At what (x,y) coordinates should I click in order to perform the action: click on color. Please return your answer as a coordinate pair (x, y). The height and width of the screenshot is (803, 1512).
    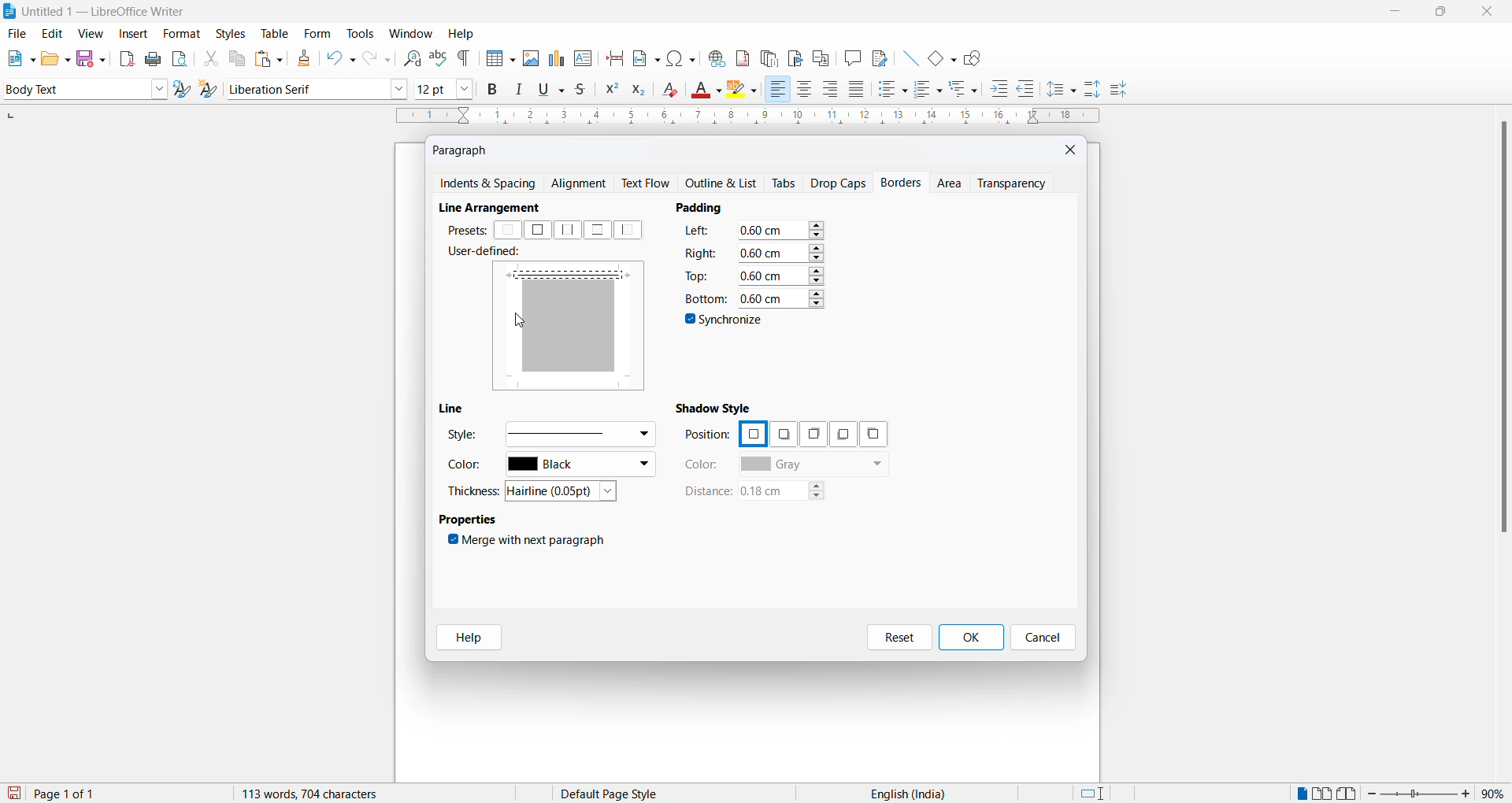
    Looking at the image, I should click on (469, 468).